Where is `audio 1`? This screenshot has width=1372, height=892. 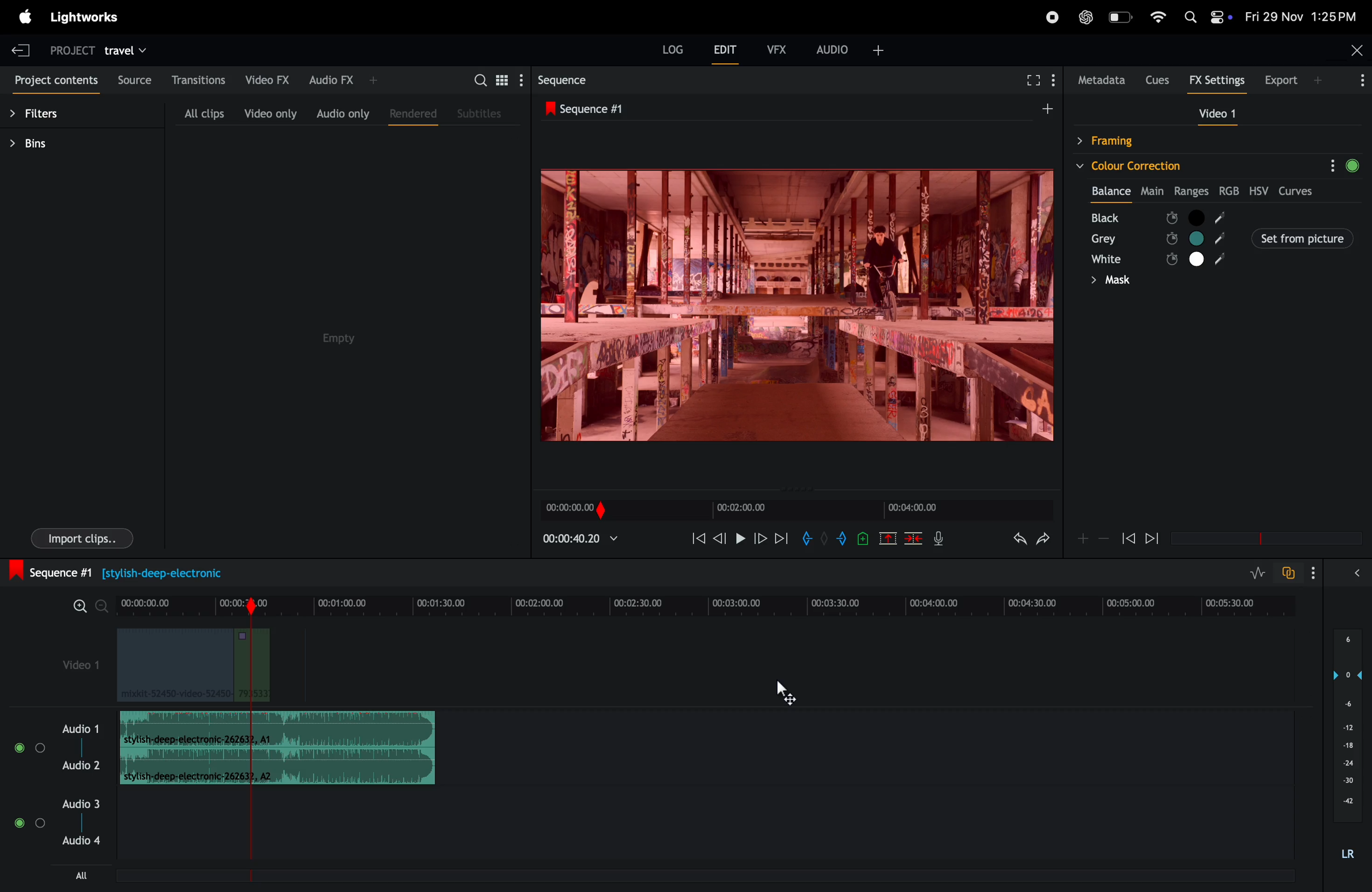 audio 1 is located at coordinates (78, 728).